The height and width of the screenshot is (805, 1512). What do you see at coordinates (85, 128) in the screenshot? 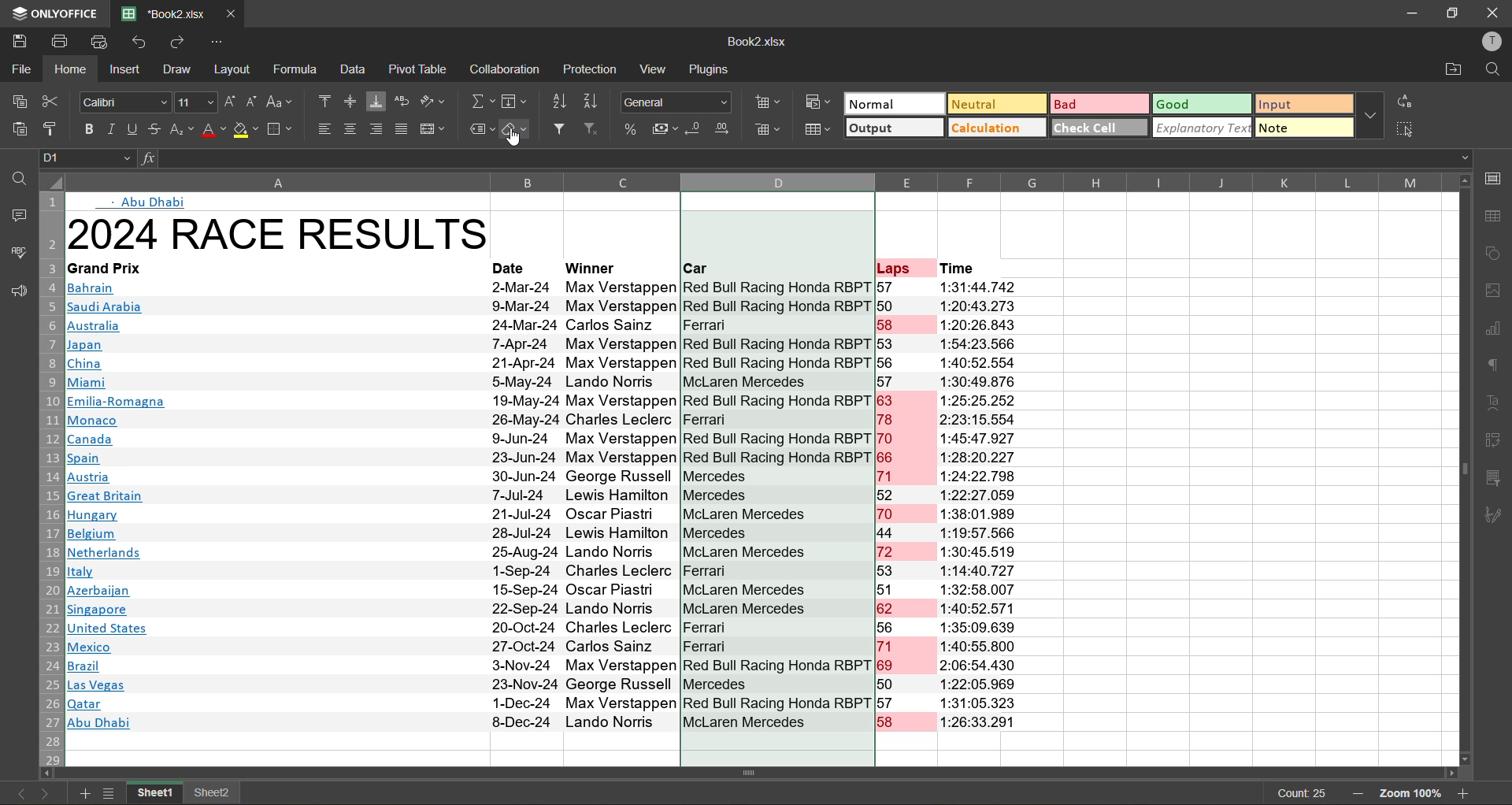
I see `bold` at bounding box center [85, 128].